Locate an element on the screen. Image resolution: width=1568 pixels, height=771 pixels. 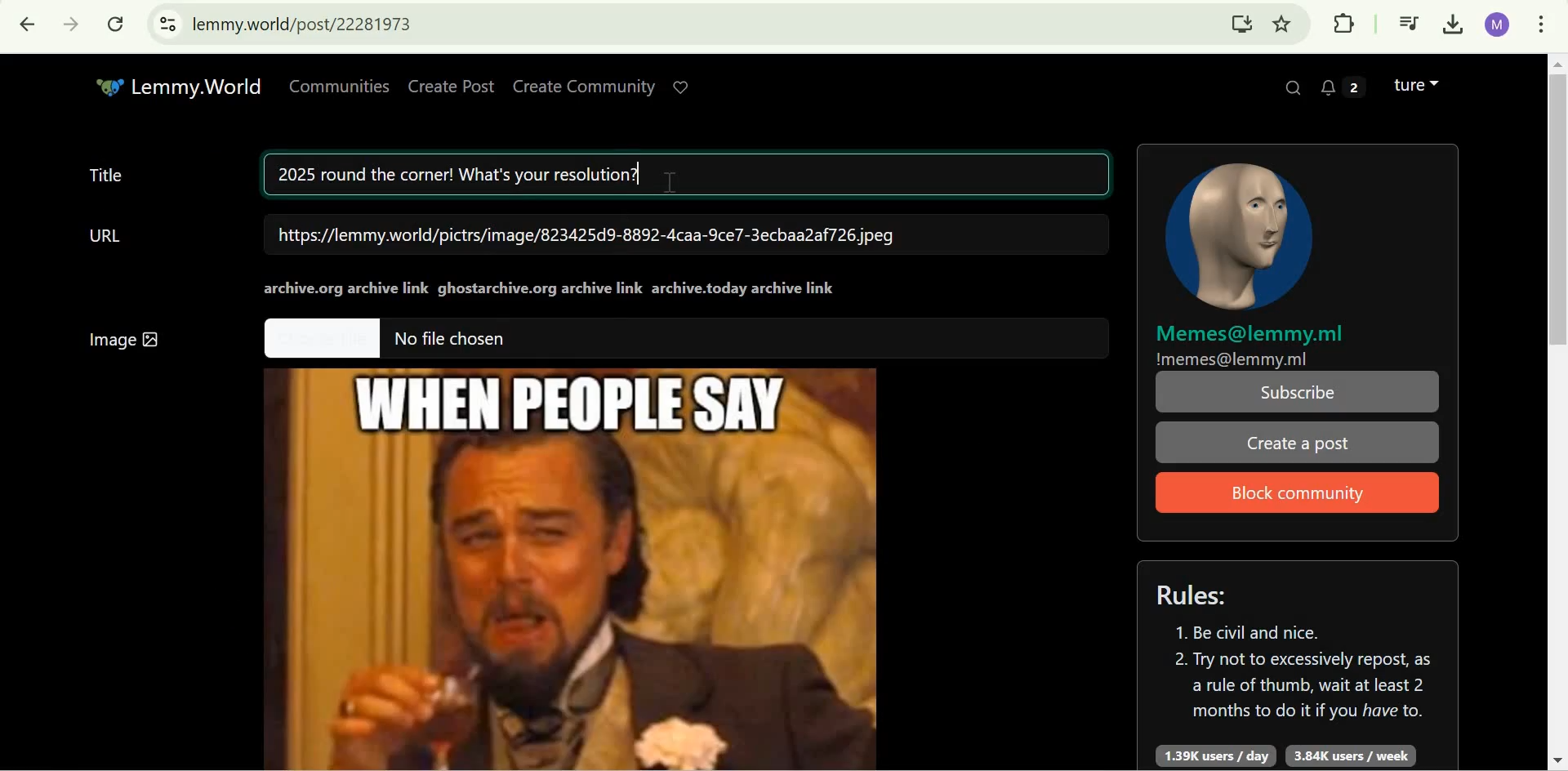
Create Post is located at coordinates (452, 87).